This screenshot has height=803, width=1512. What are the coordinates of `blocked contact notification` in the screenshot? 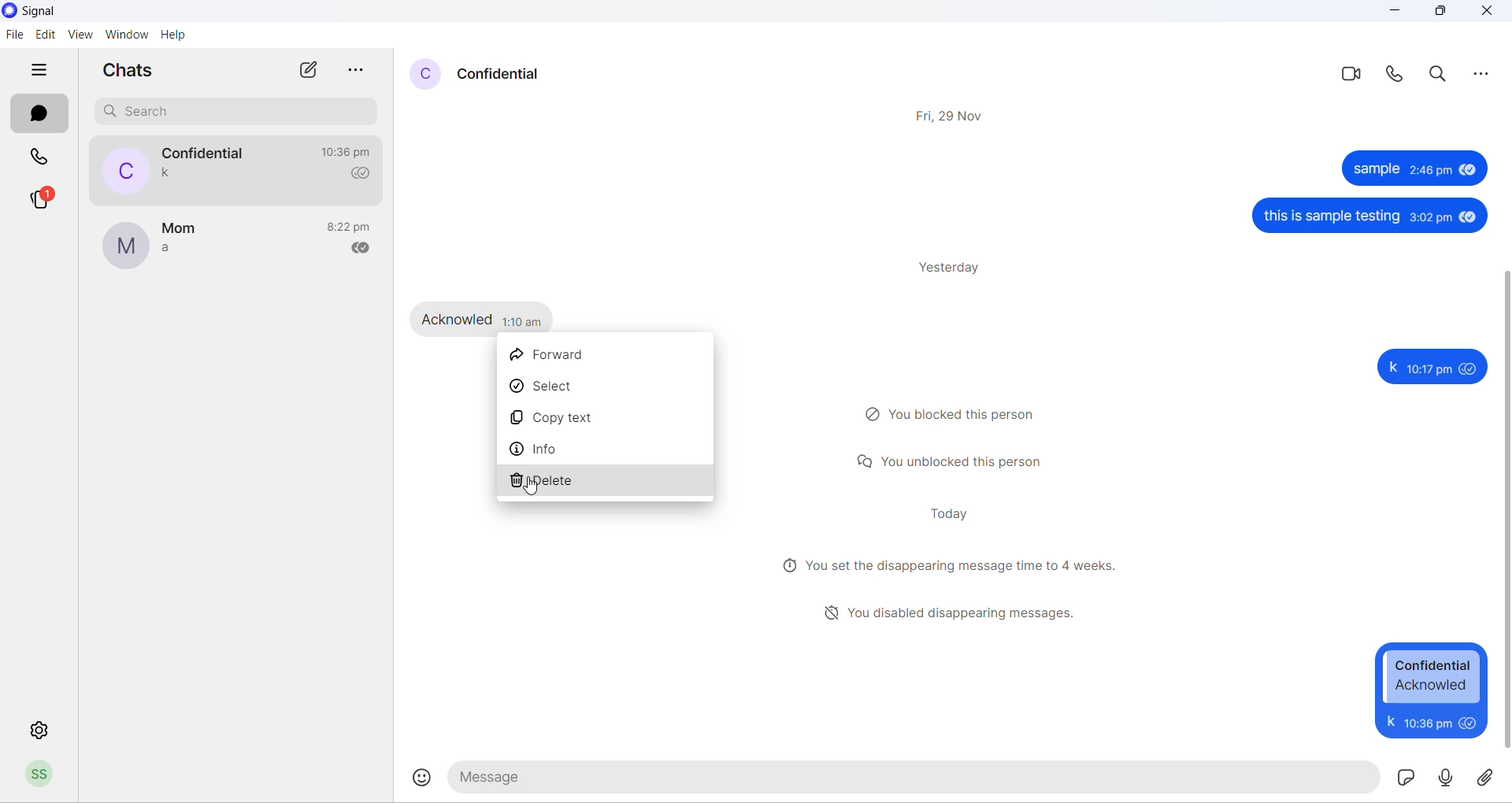 It's located at (957, 413).